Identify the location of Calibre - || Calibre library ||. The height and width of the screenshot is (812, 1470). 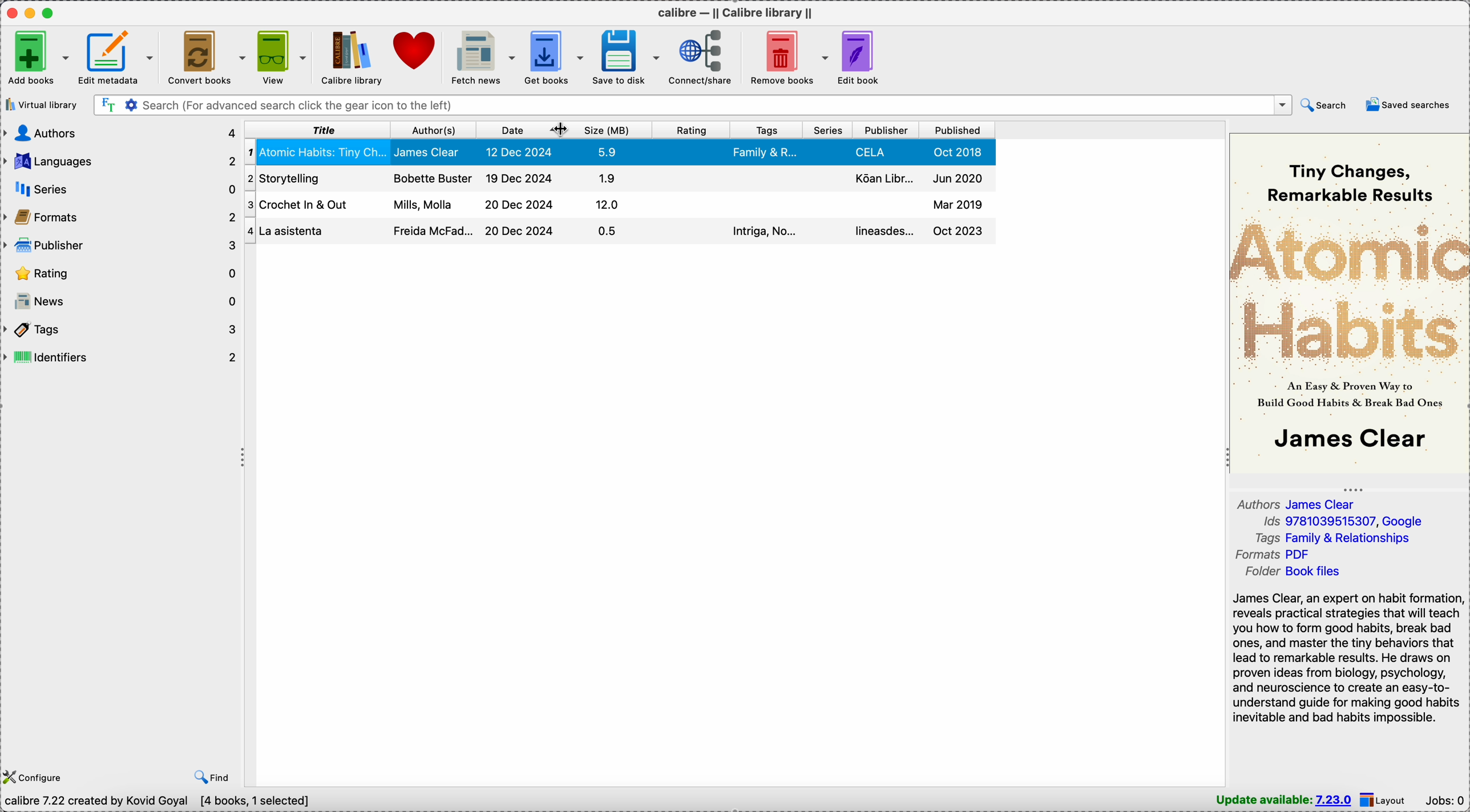
(735, 12).